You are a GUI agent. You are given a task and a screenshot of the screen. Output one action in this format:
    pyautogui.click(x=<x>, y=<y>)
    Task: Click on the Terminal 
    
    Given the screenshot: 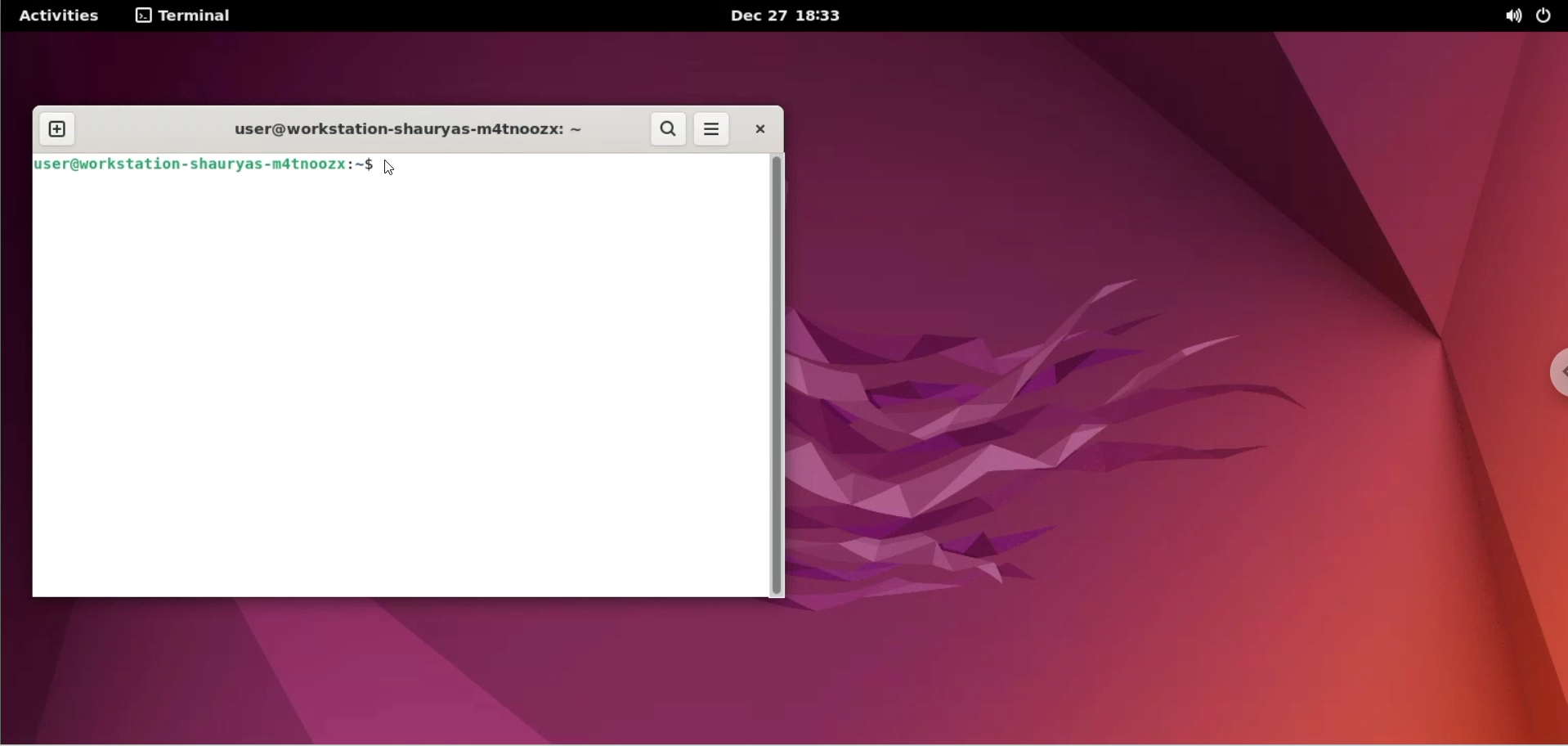 What is the action you would take?
    pyautogui.click(x=190, y=16)
    